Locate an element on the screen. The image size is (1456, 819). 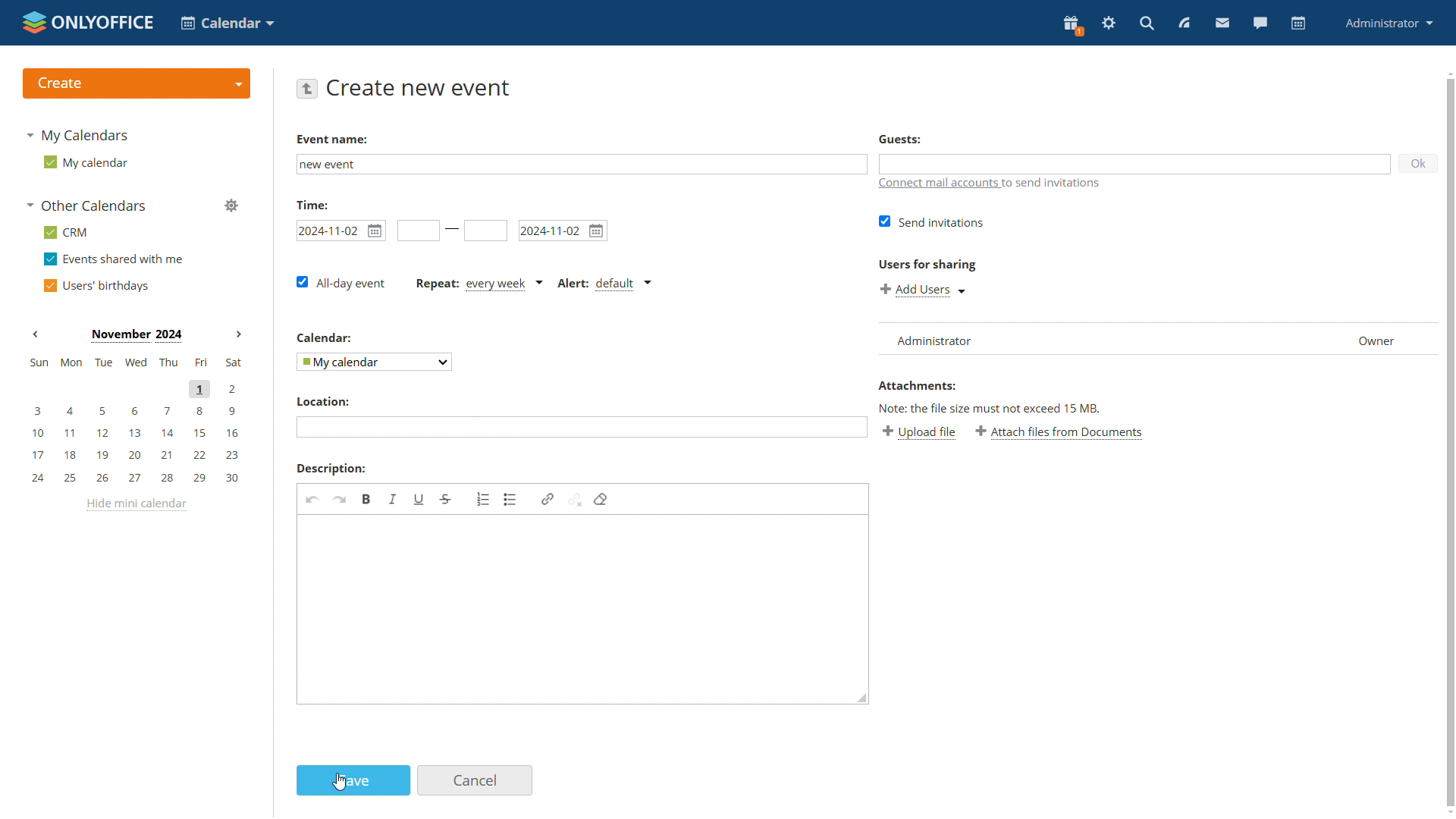
administrator is located at coordinates (1390, 22).